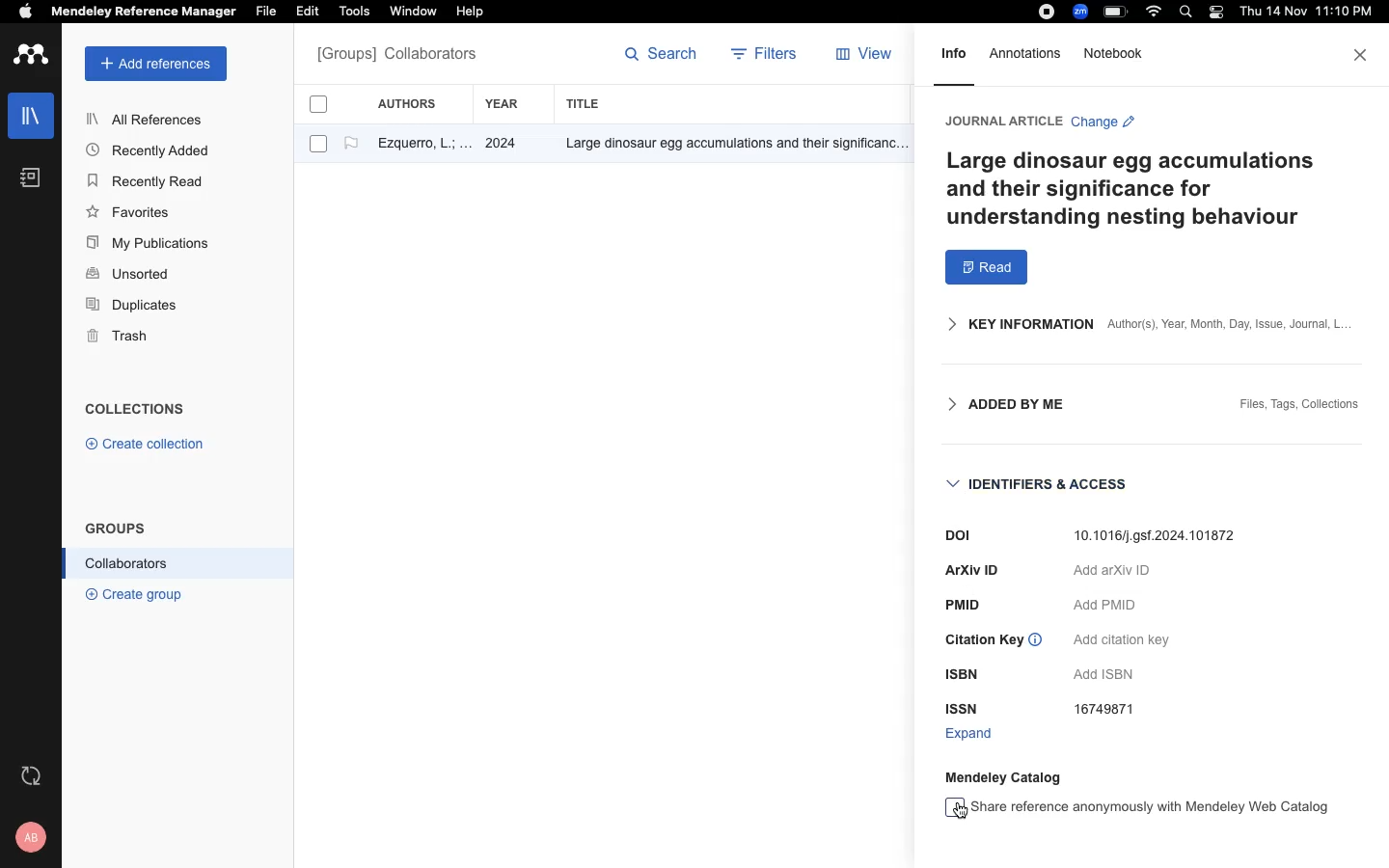 Image resolution: width=1389 pixels, height=868 pixels. I want to click on “IDENTIFIERS & ACCESS, so click(1041, 485).